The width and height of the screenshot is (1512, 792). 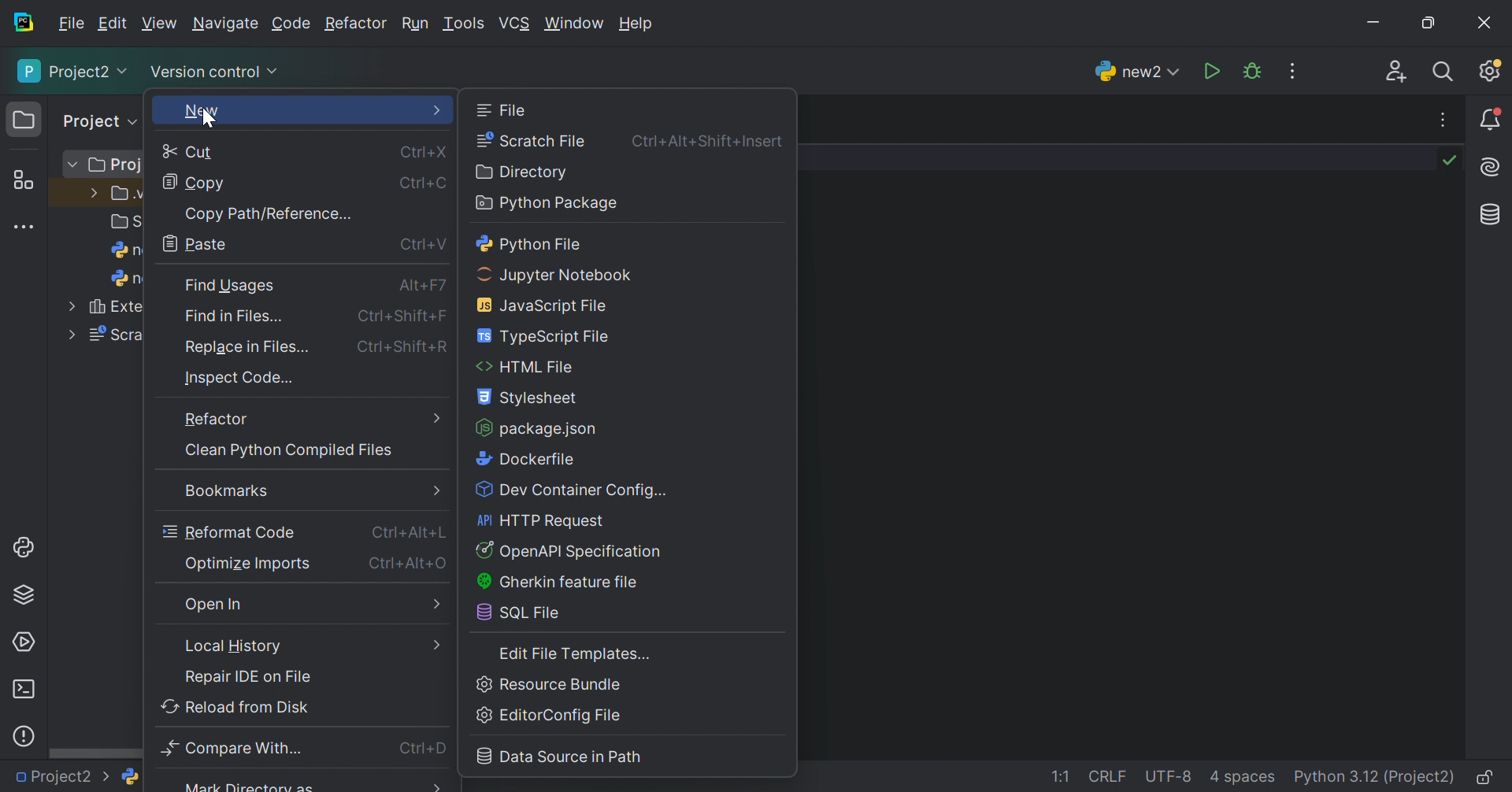 I want to click on Mark Directory as, so click(x=250, y=786).